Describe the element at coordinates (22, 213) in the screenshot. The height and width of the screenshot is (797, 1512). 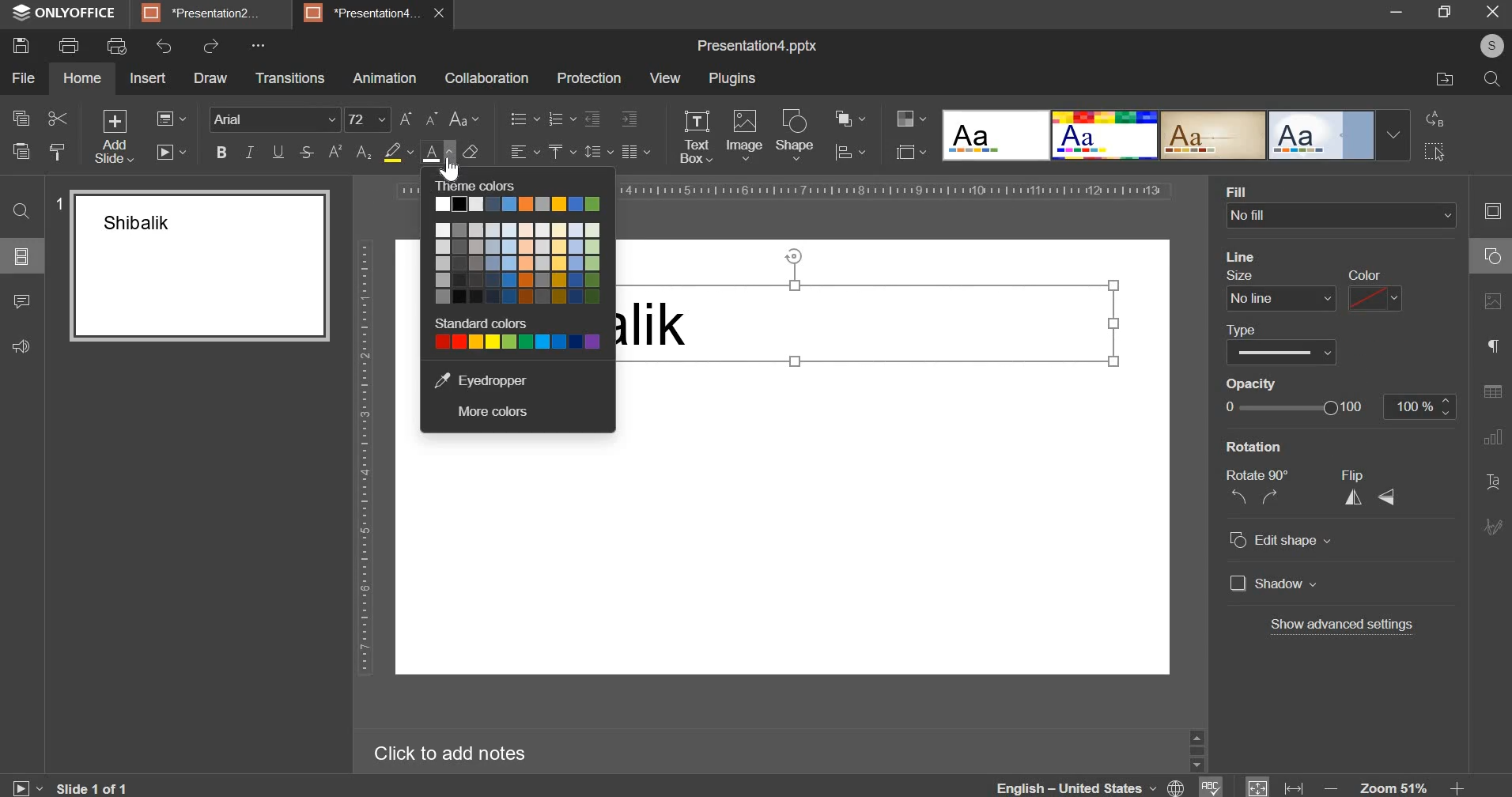
I see `find` at that location.